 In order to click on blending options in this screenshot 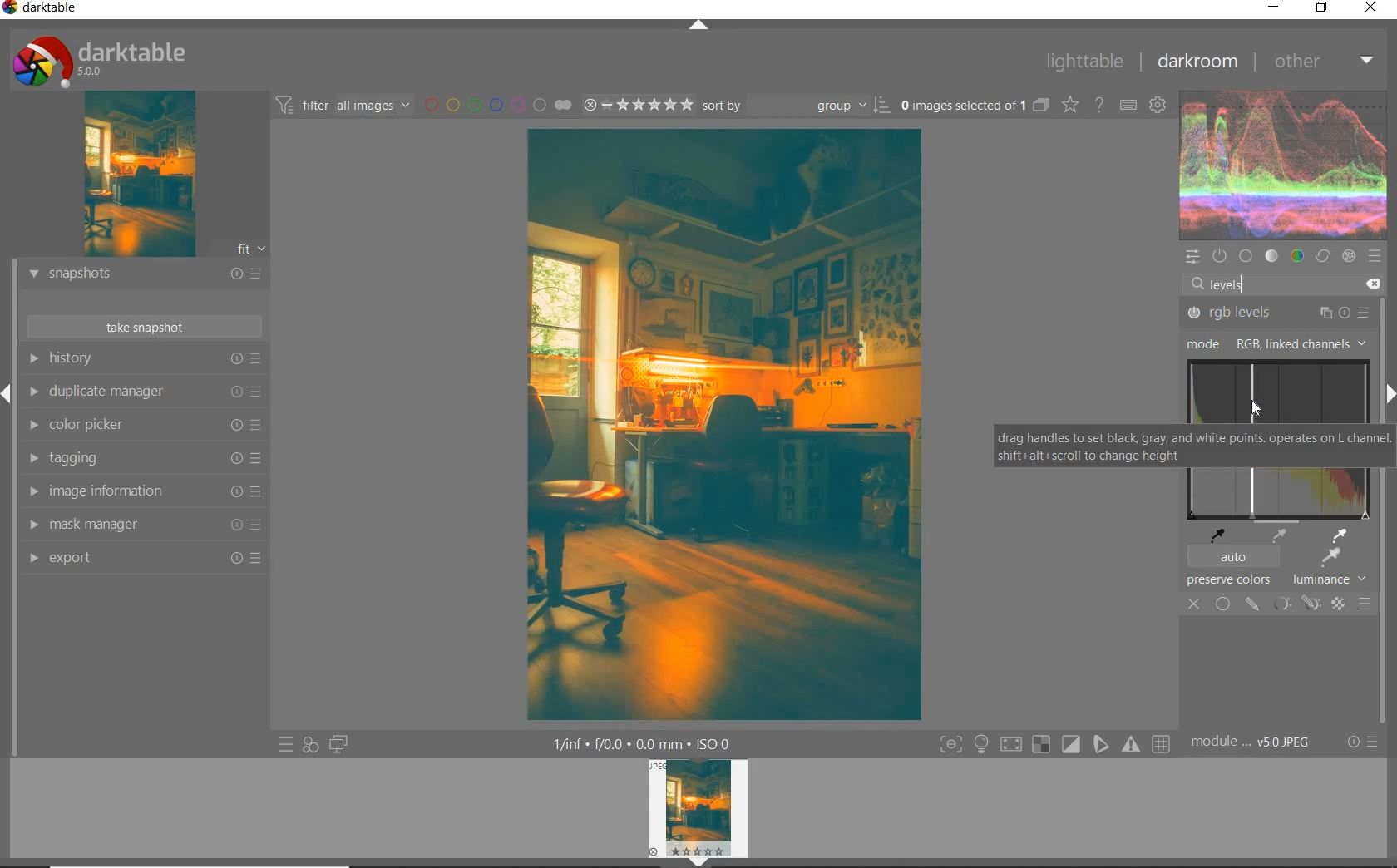, I will do `click(1365, 604)`.